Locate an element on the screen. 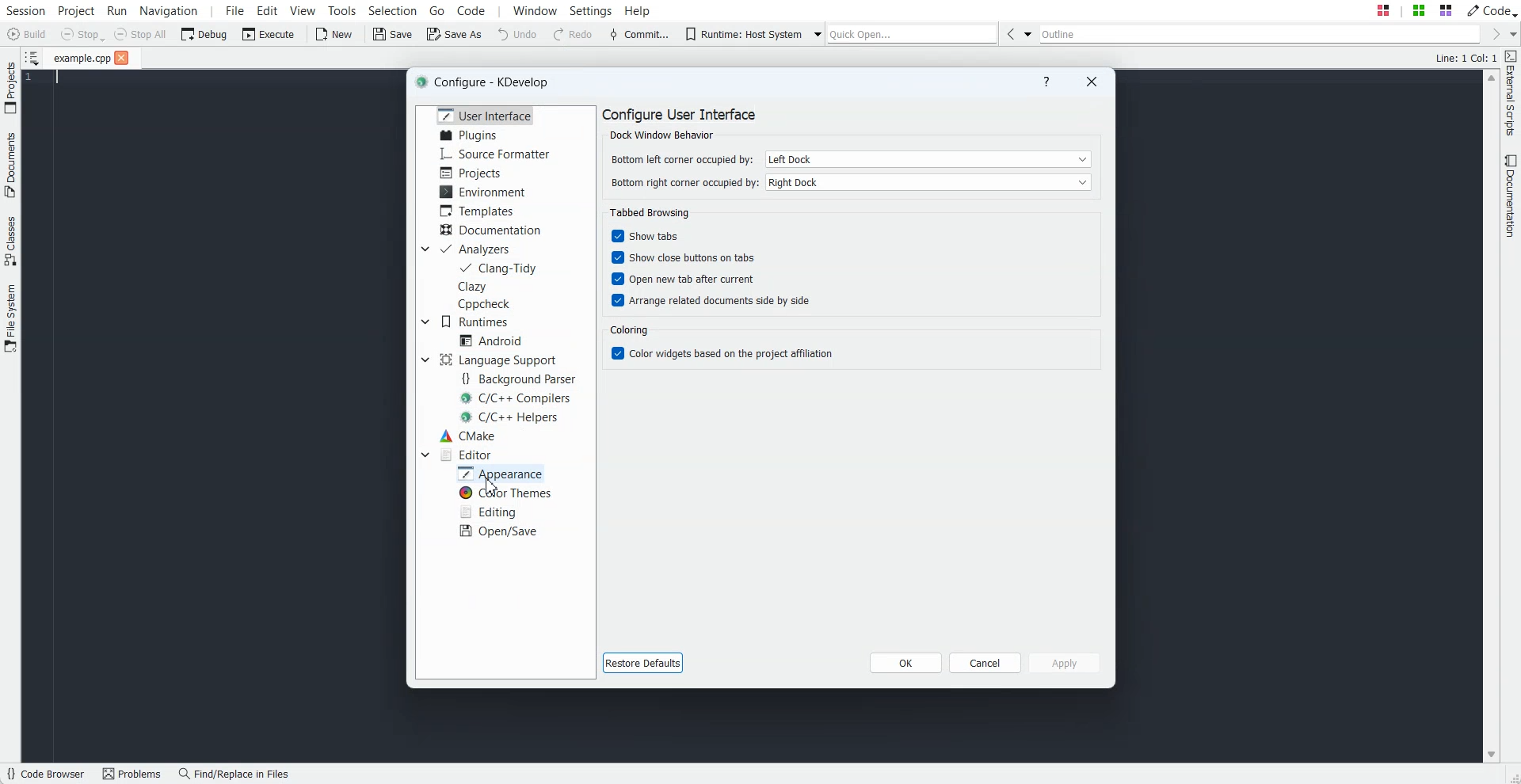 Image resolution: width=1521 pixels, height=784 pixels. Quick Open is located at coordinates (913, 33).